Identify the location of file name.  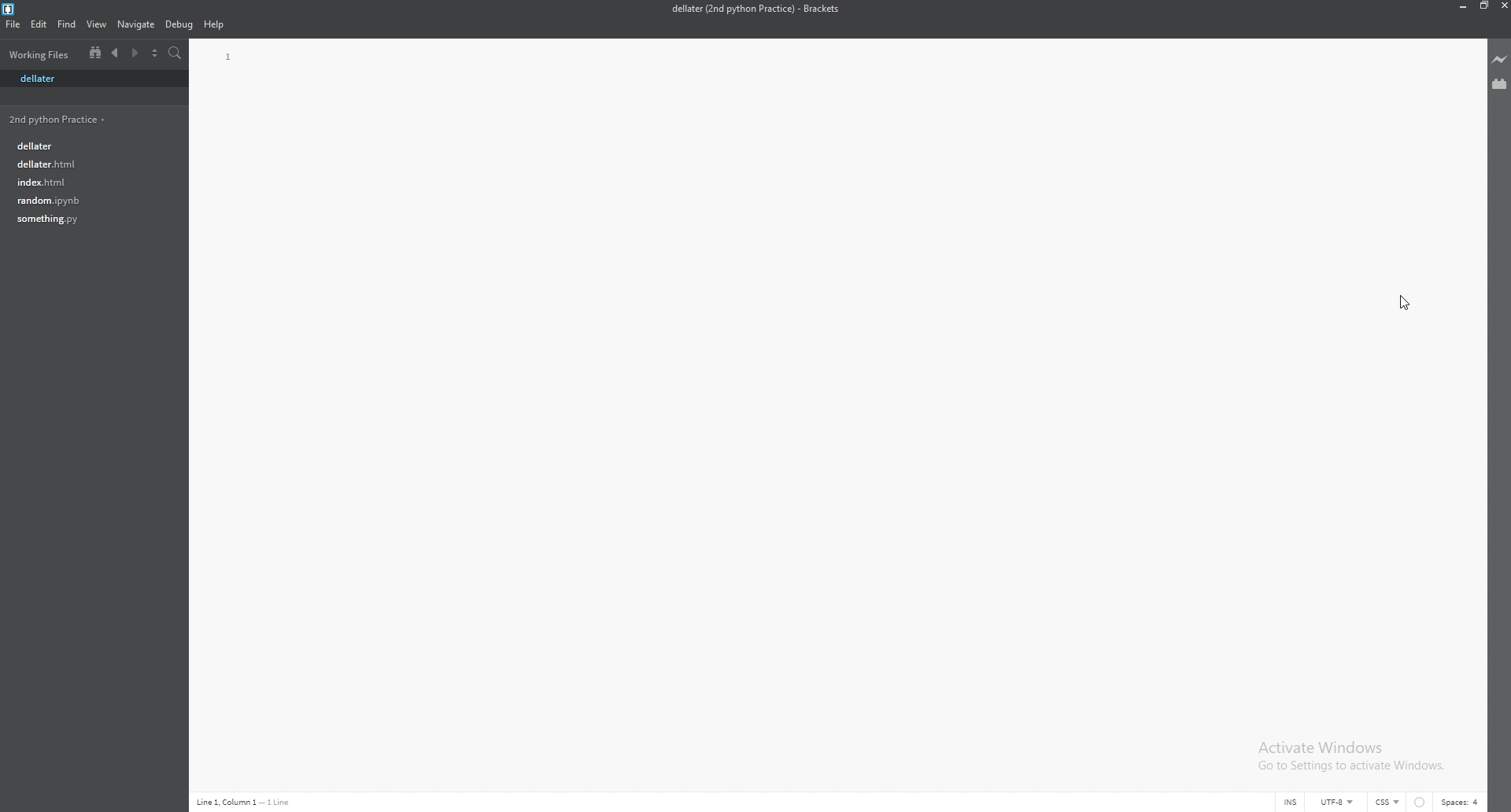
(755, 9).